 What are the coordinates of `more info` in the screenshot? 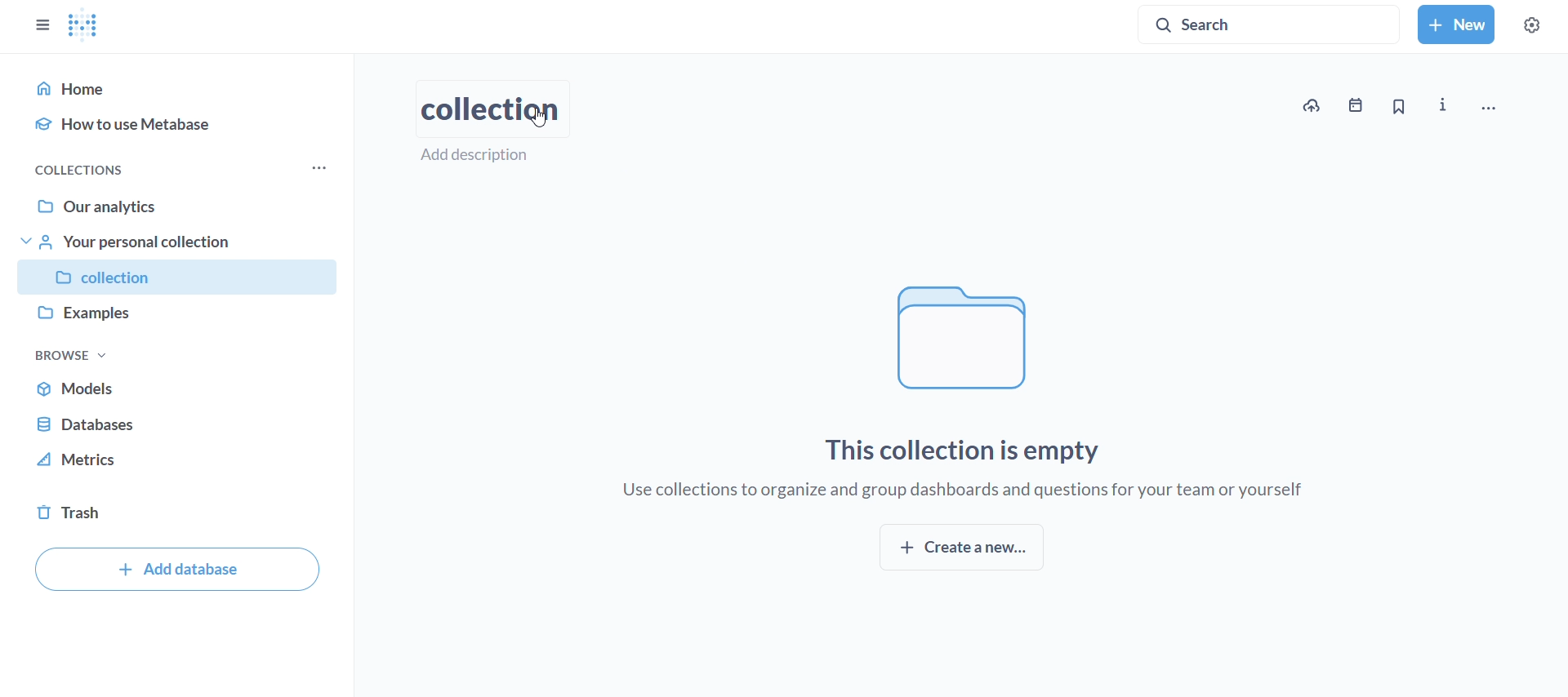 It's located at (1446, 105).